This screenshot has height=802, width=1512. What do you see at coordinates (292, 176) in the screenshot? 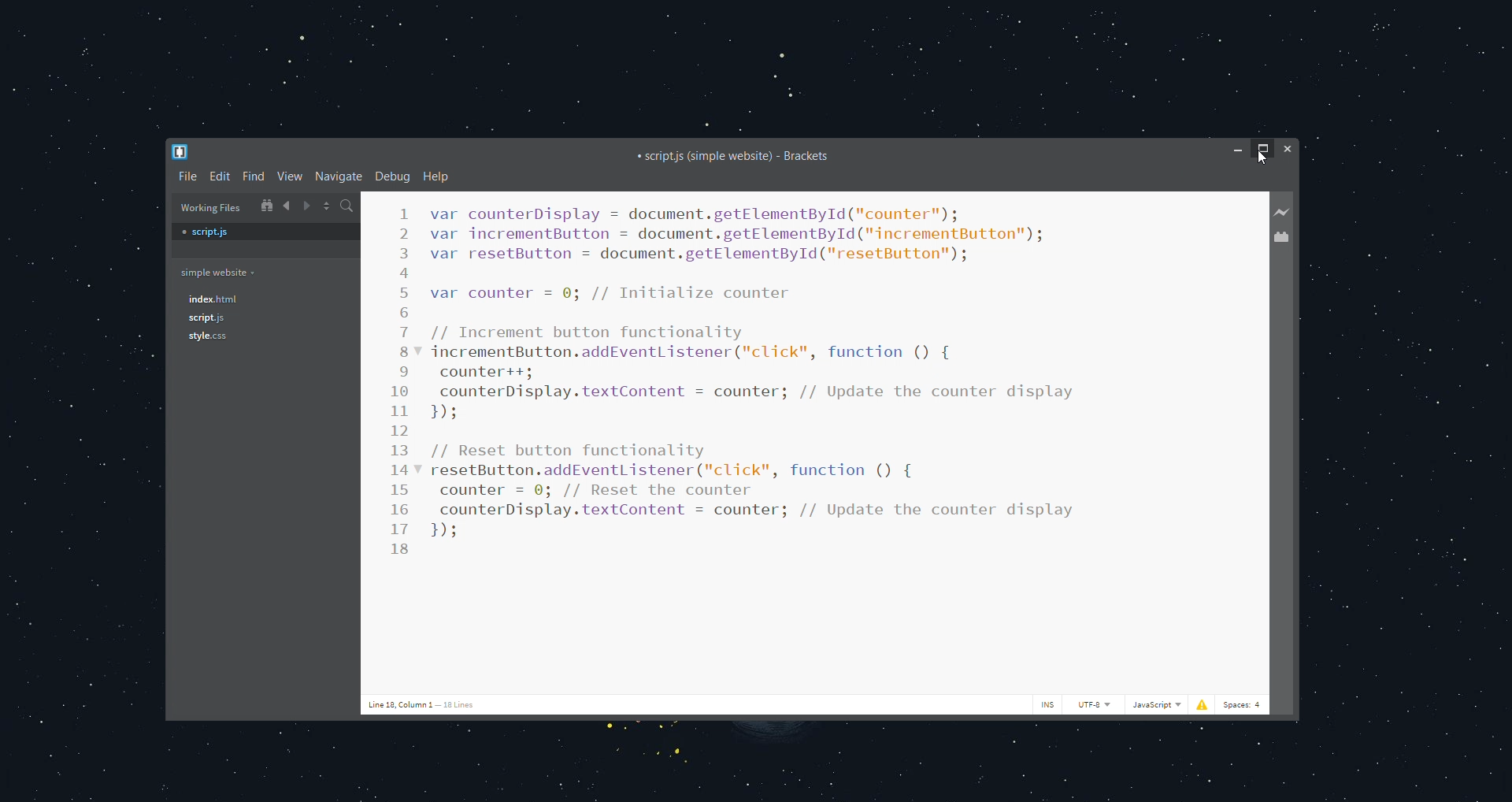
I see `view` at bounding box center [292, 176].